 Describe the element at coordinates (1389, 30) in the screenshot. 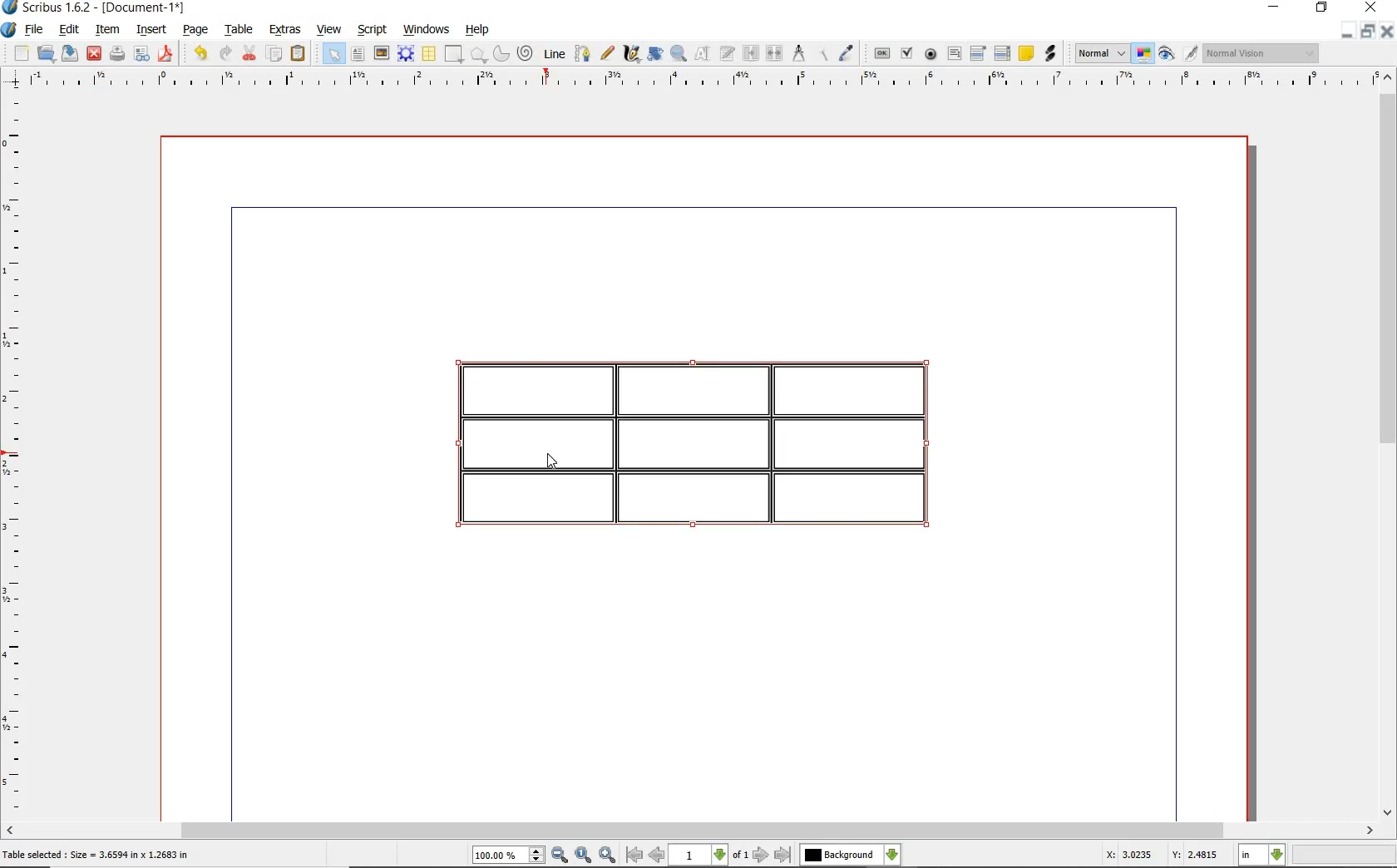

I see `CLOSE` at that location.